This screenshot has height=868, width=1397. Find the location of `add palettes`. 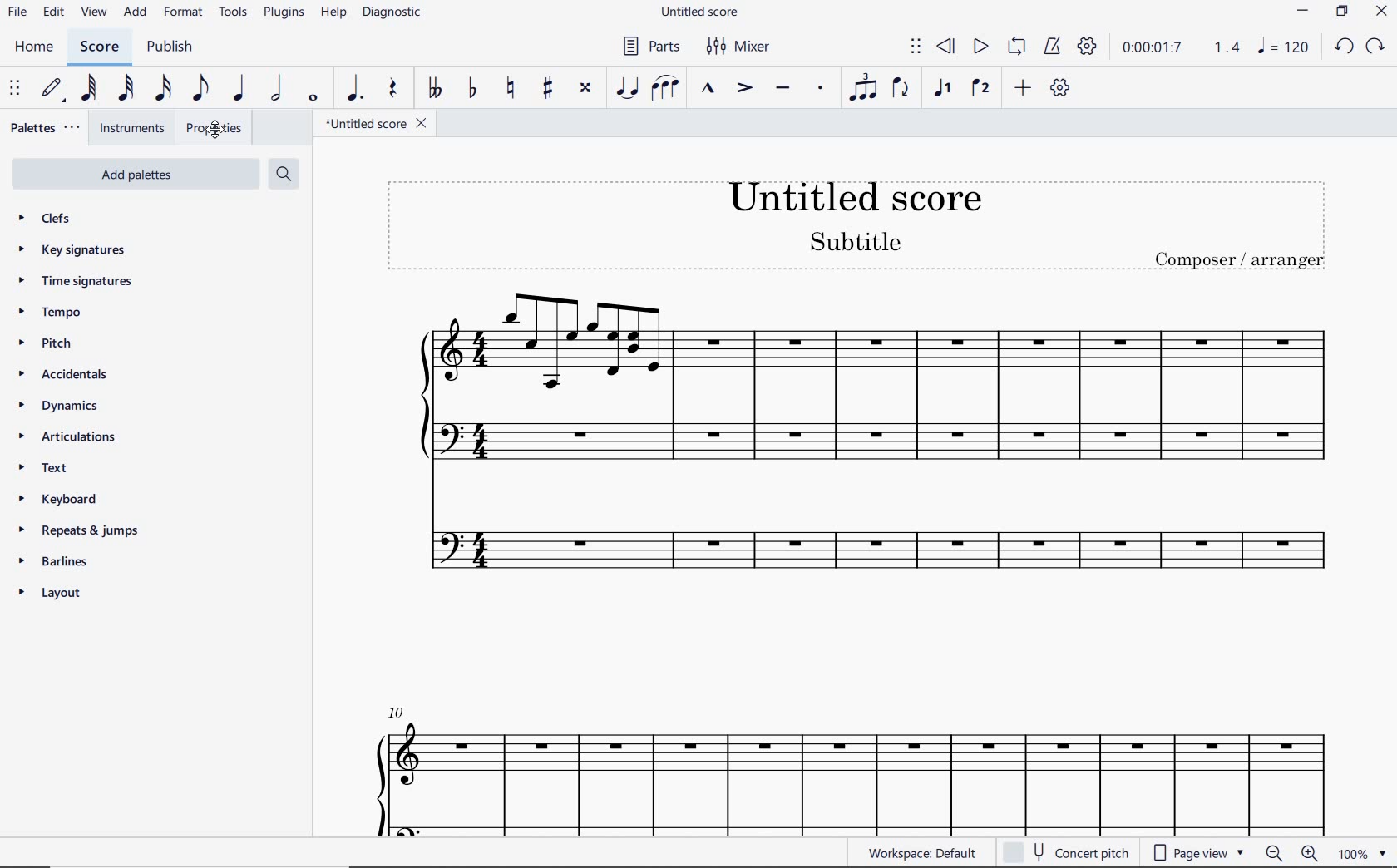

add palettes is located at coordinates (132, 175).